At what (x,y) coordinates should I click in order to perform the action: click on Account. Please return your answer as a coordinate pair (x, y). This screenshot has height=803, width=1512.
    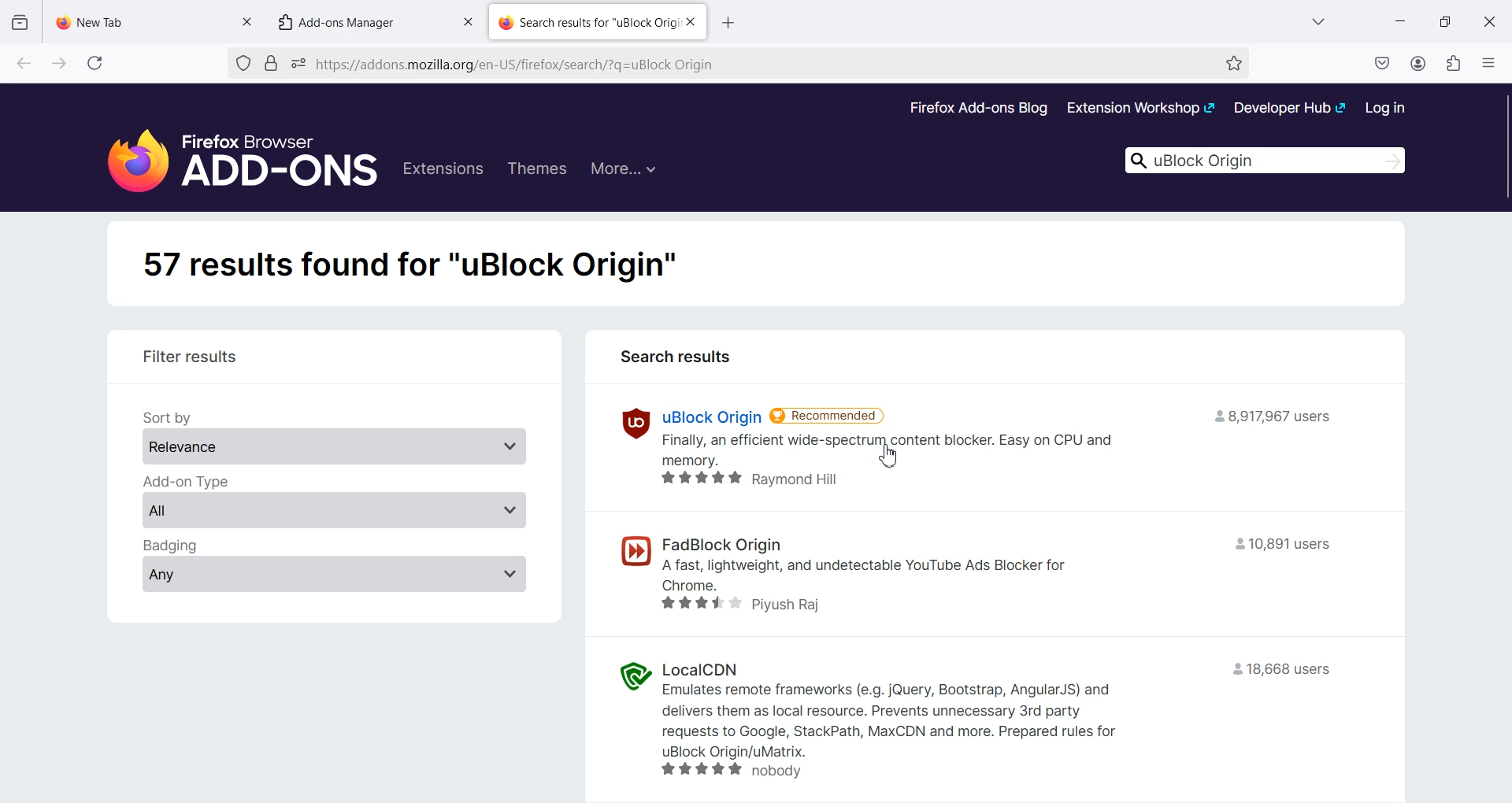
    Looking at the image, I should click on (1419, 63).